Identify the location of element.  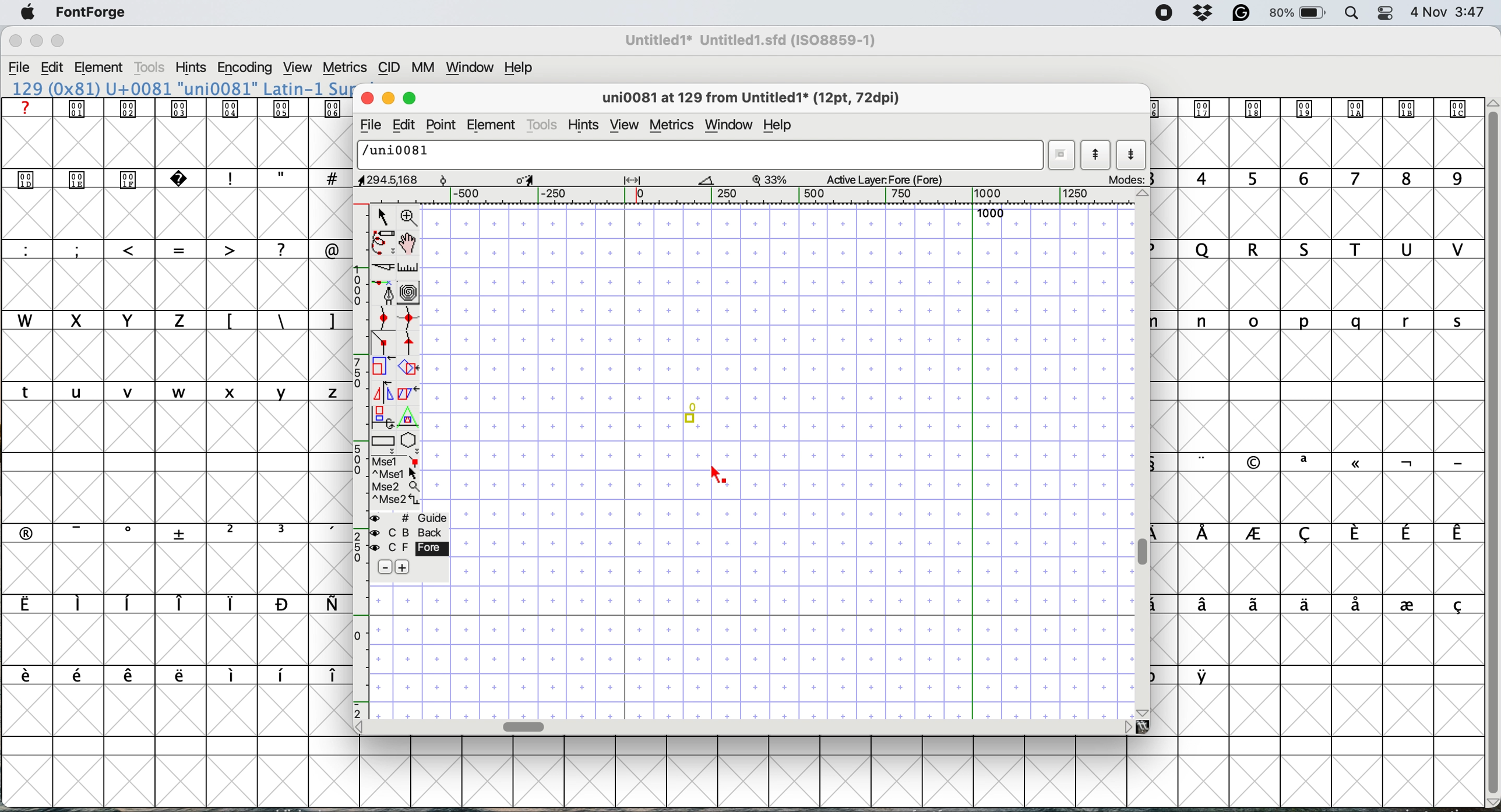
(494, 124).